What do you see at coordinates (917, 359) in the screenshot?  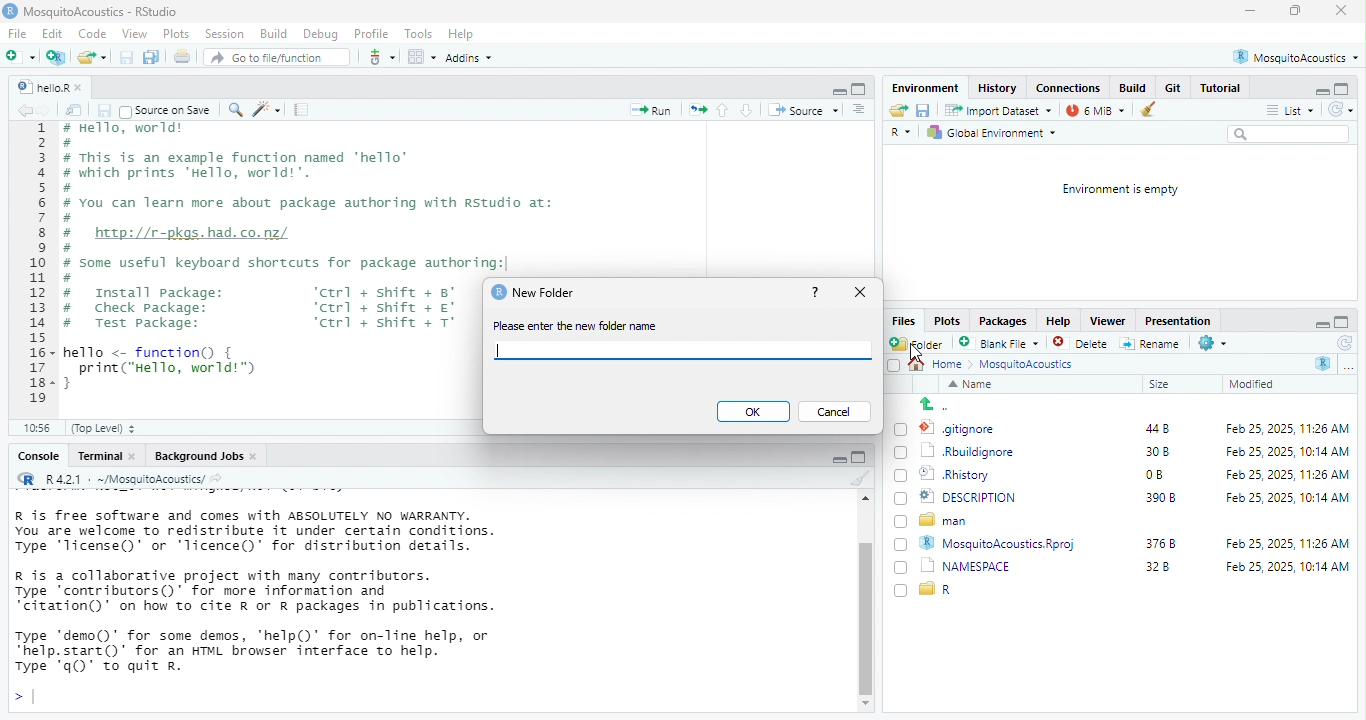 I see `cursor movement` at bounding box center [917, 359].